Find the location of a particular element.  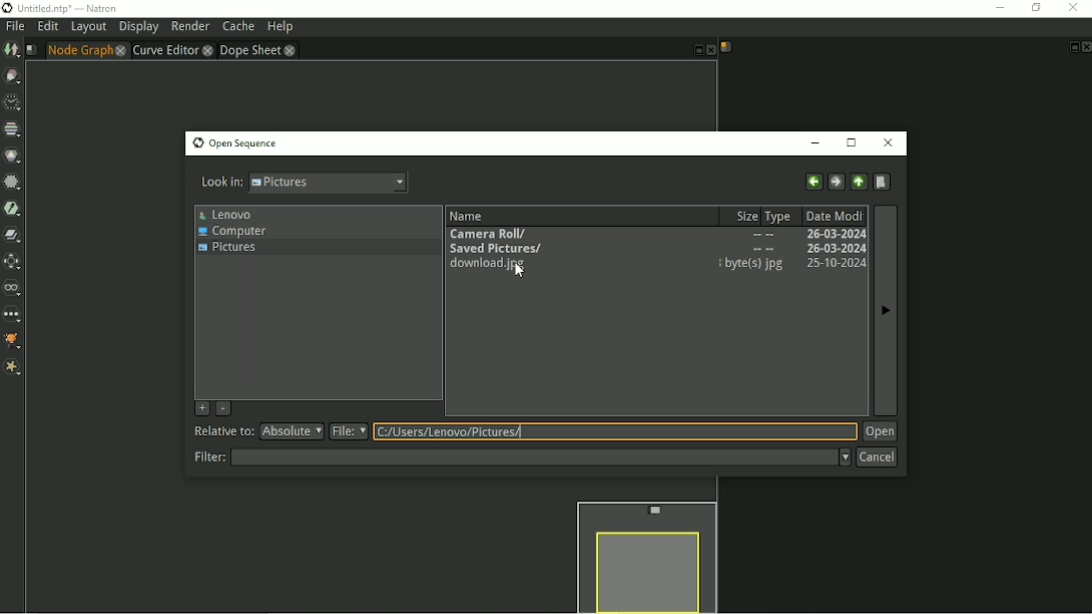

Open is located at coordinates (880, 432).